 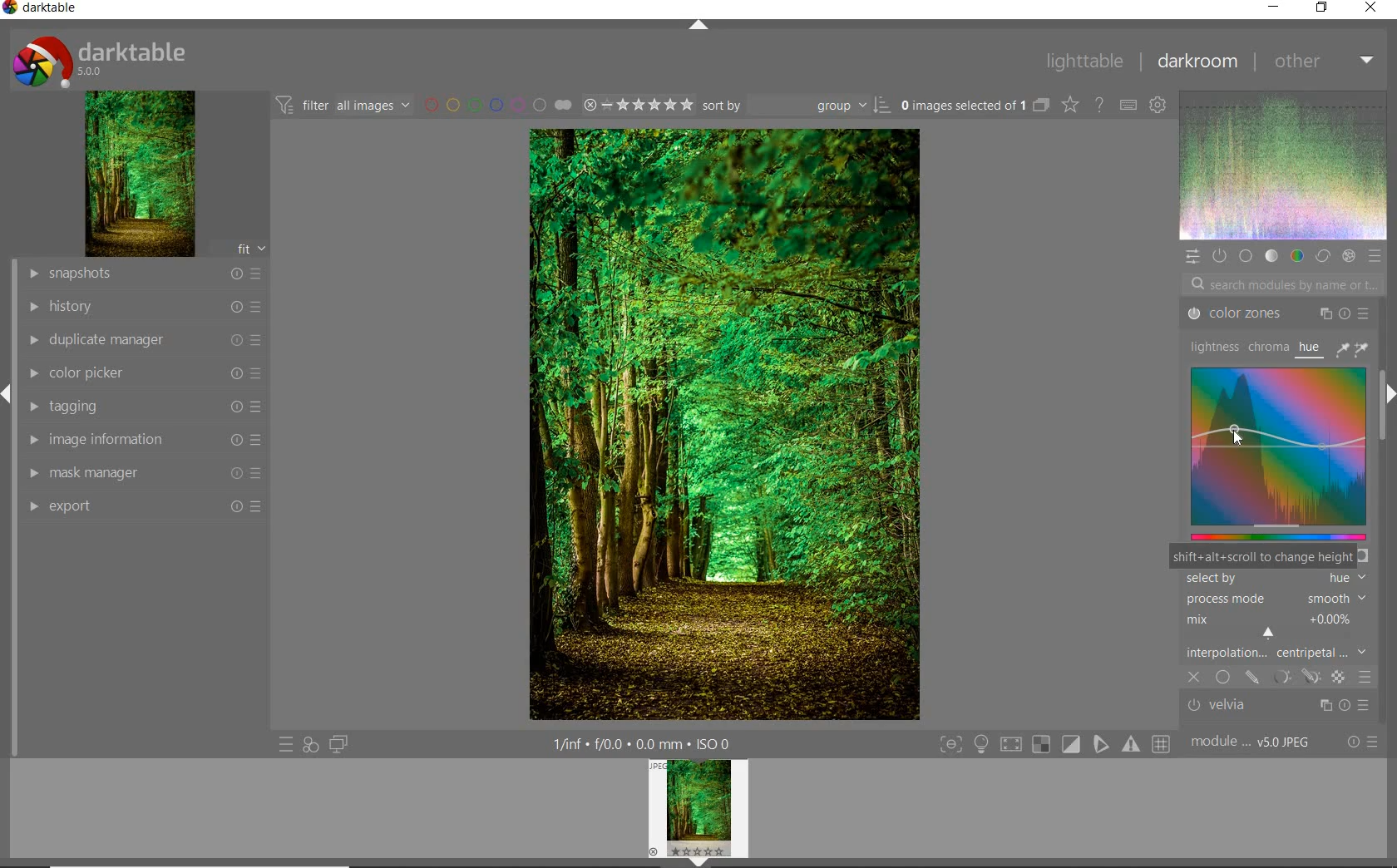 What do you see at coordinates (1320, 8) in the screenshot?
I see `RESTORE` at bounding box center [1320, 8].